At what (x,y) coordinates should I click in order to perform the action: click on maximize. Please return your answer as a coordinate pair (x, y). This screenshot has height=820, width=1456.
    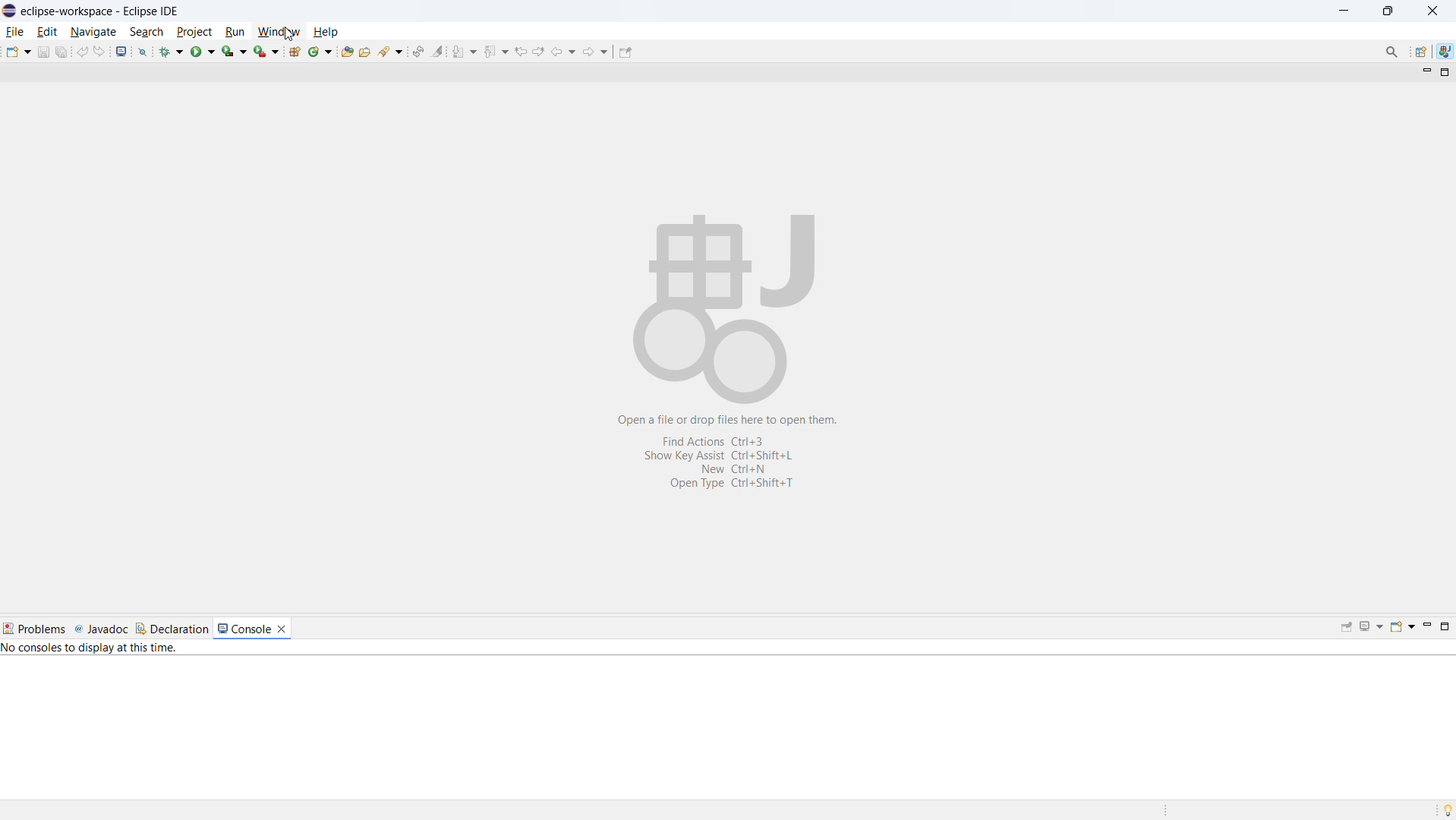
    Looking at the image, I should click on (1444, 73).